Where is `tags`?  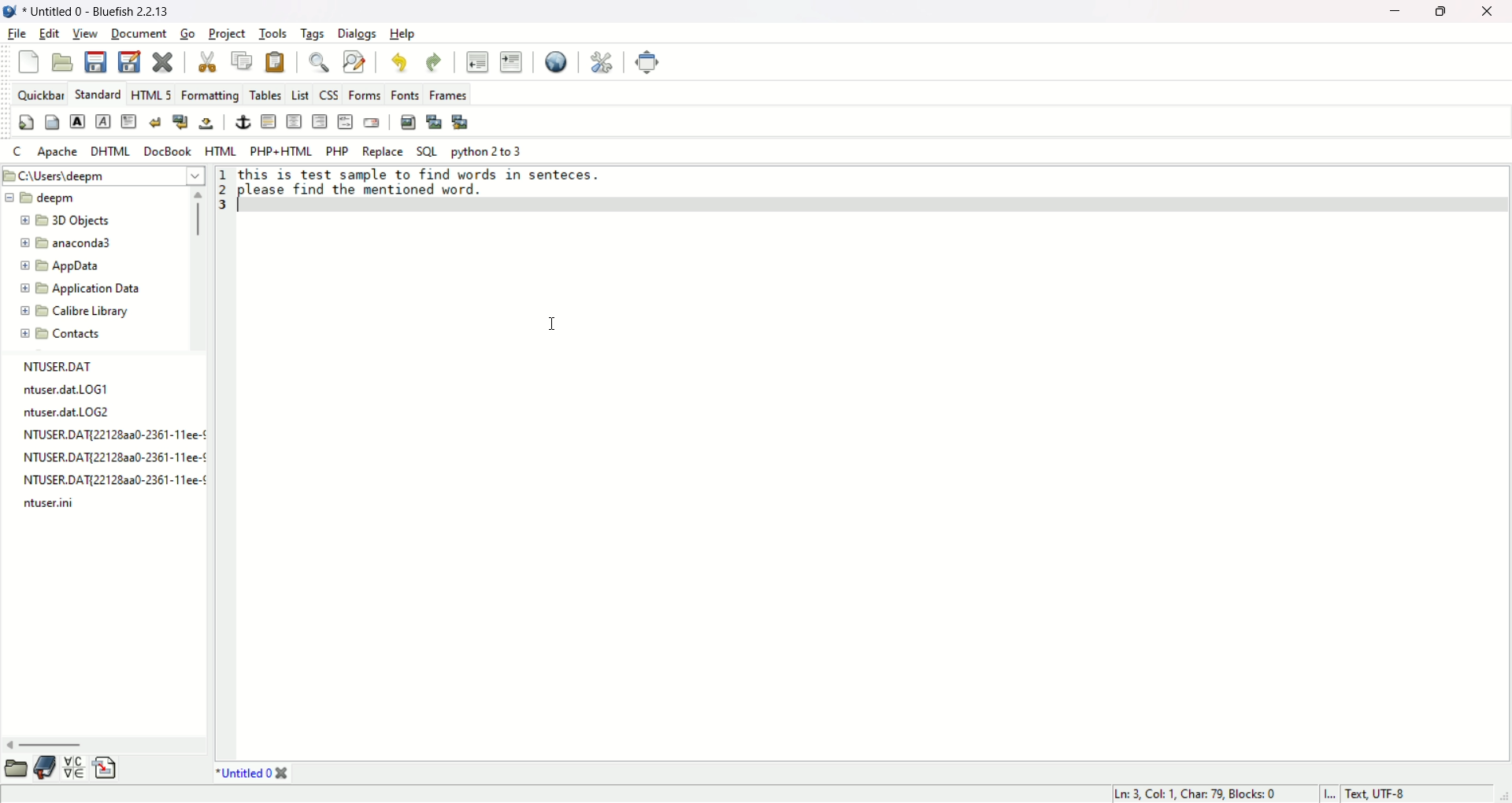 tags is located at coordinates (313, 34).